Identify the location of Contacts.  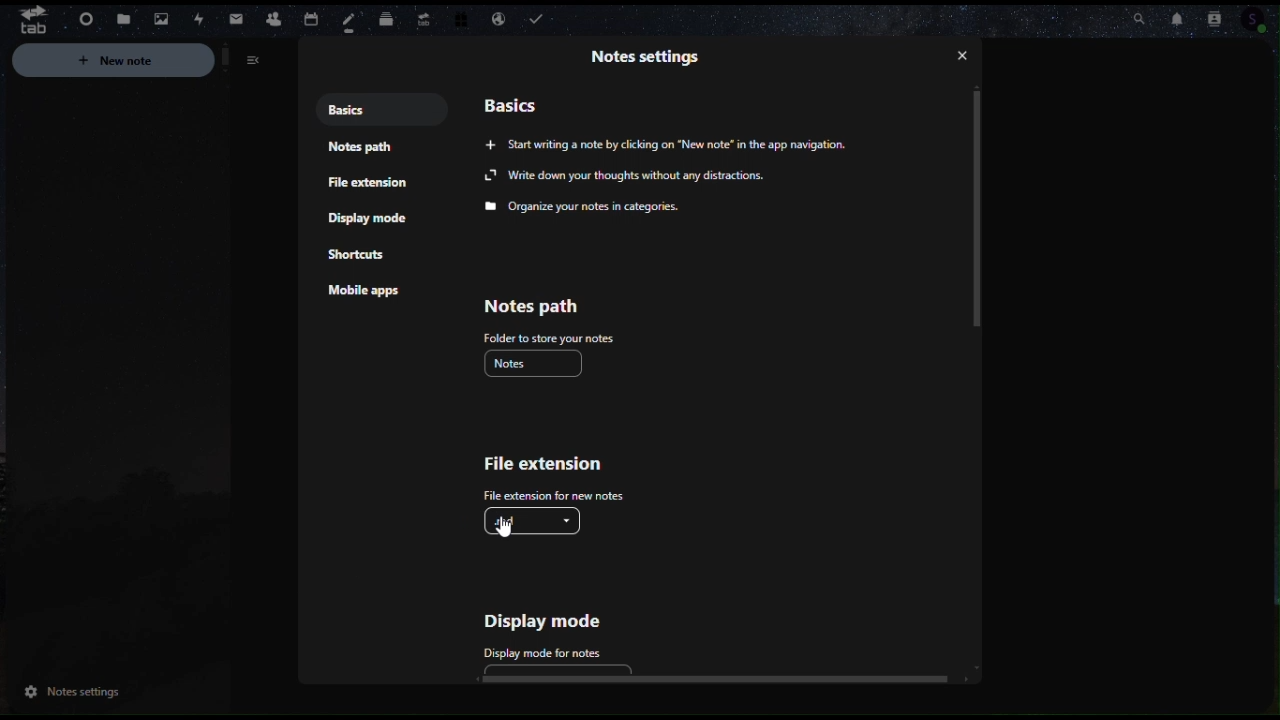
(273, 17).